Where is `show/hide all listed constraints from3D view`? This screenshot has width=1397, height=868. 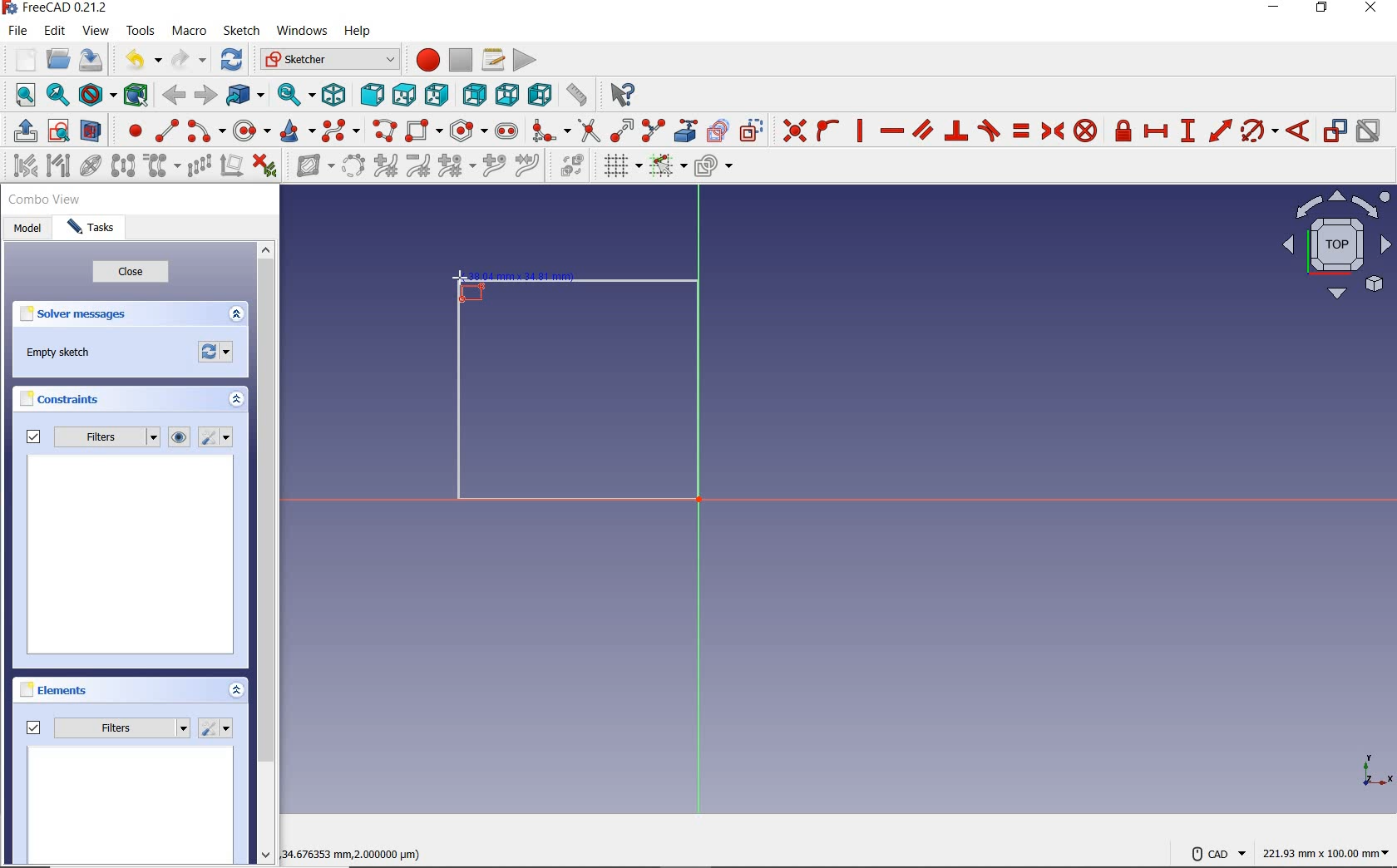
show/hide all listed constraints from3D view is located at coordinates (180, 437).